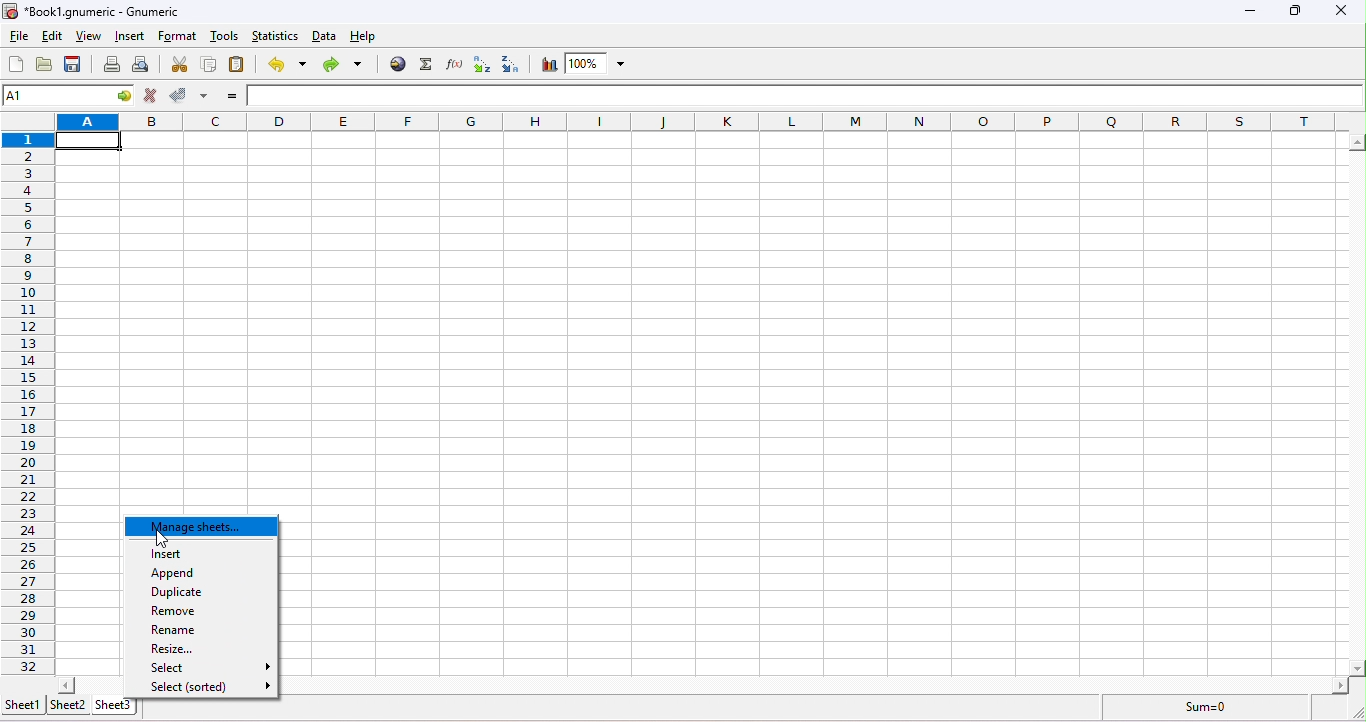 The image size is (1366, 722). Describe the element at coordinates (365, 32) in the screenshot. I see `help` at that location.